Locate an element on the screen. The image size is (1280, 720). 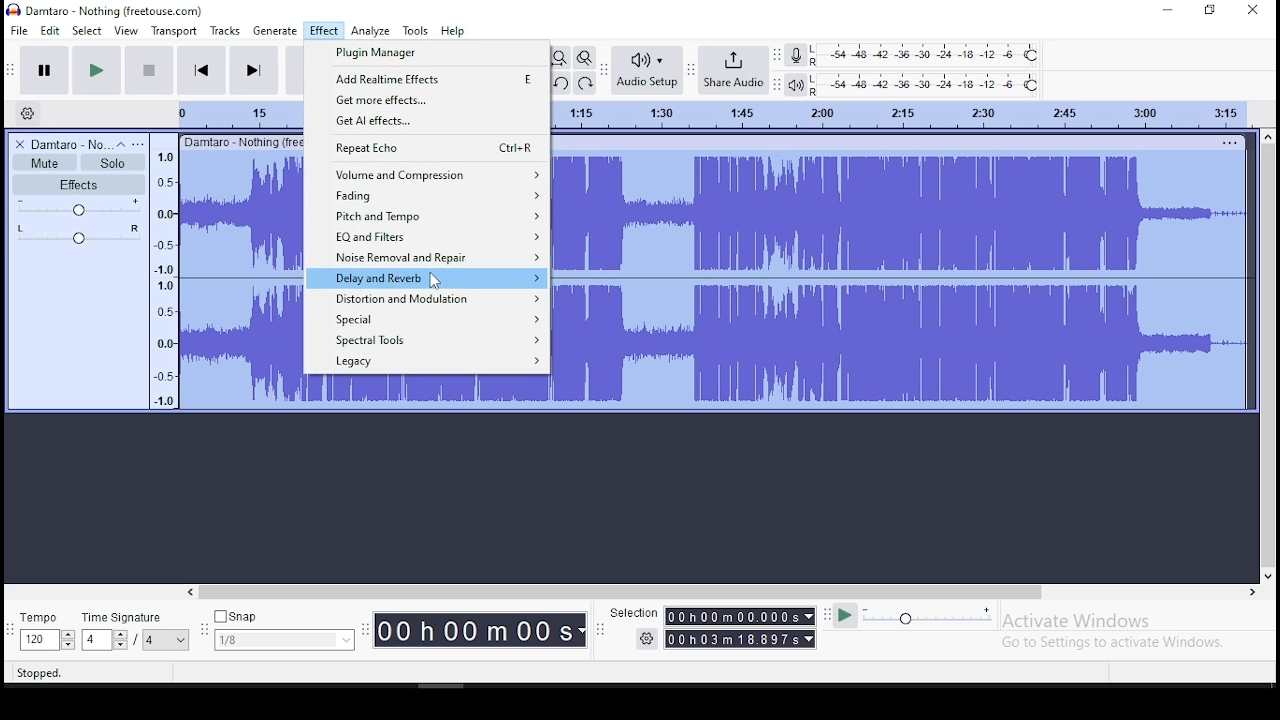
Drop down is located at coordinates (582, 631).